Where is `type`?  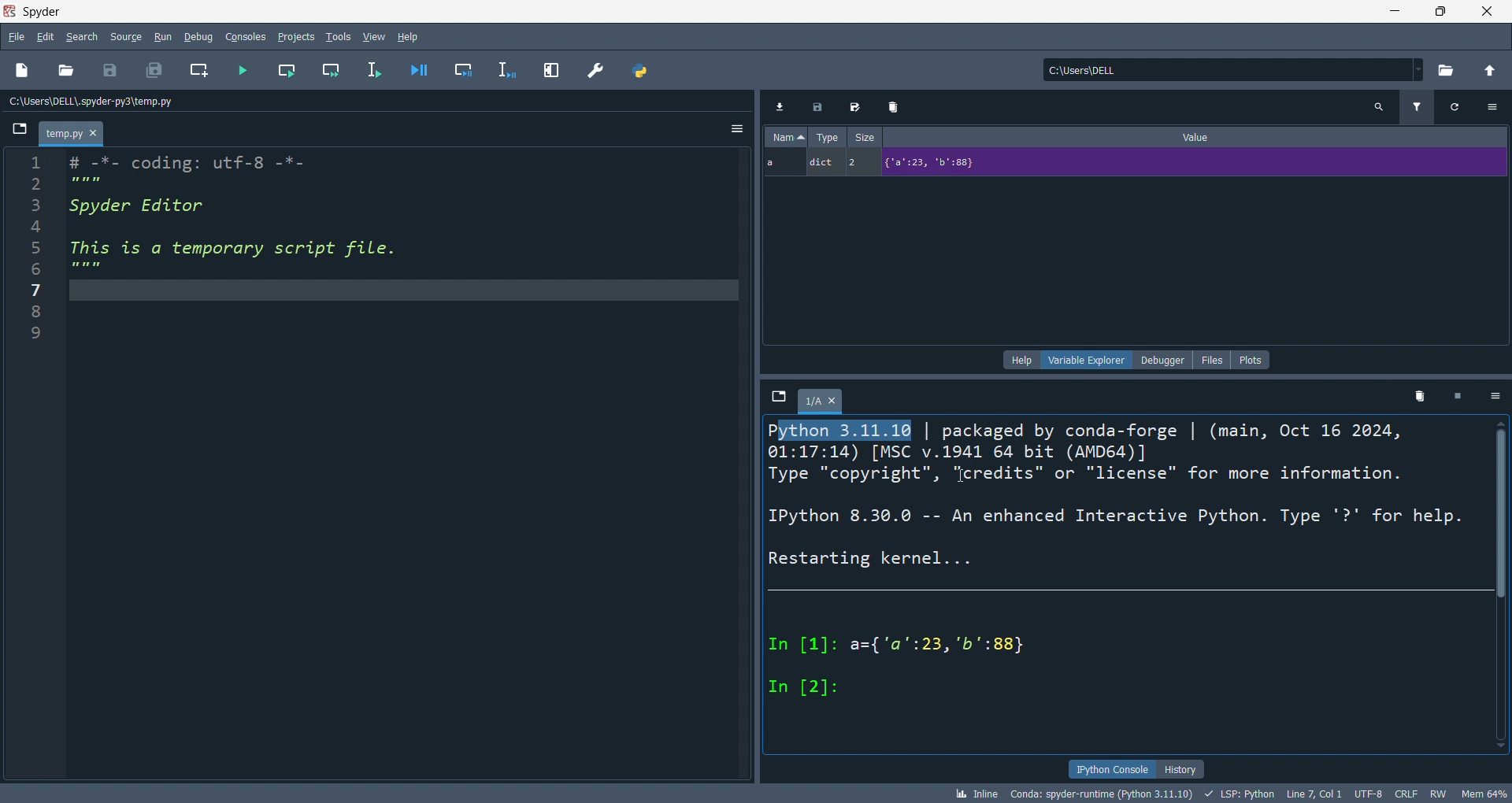
type is located at coordinates (826, 136).